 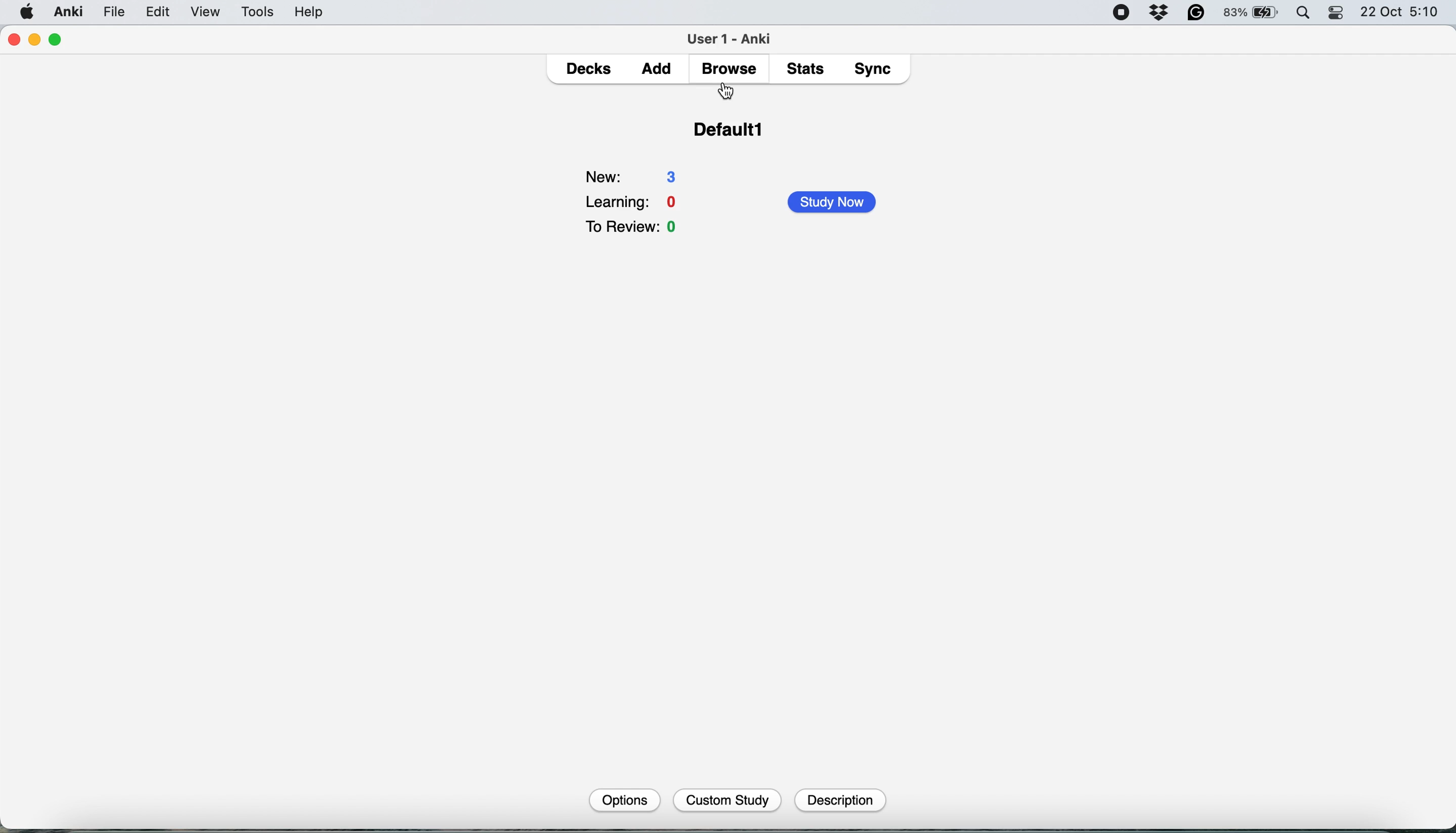 What do you see at coordinates (27, 11) in the screenshot?
I see `system logo` at bounding box center [27, 11].